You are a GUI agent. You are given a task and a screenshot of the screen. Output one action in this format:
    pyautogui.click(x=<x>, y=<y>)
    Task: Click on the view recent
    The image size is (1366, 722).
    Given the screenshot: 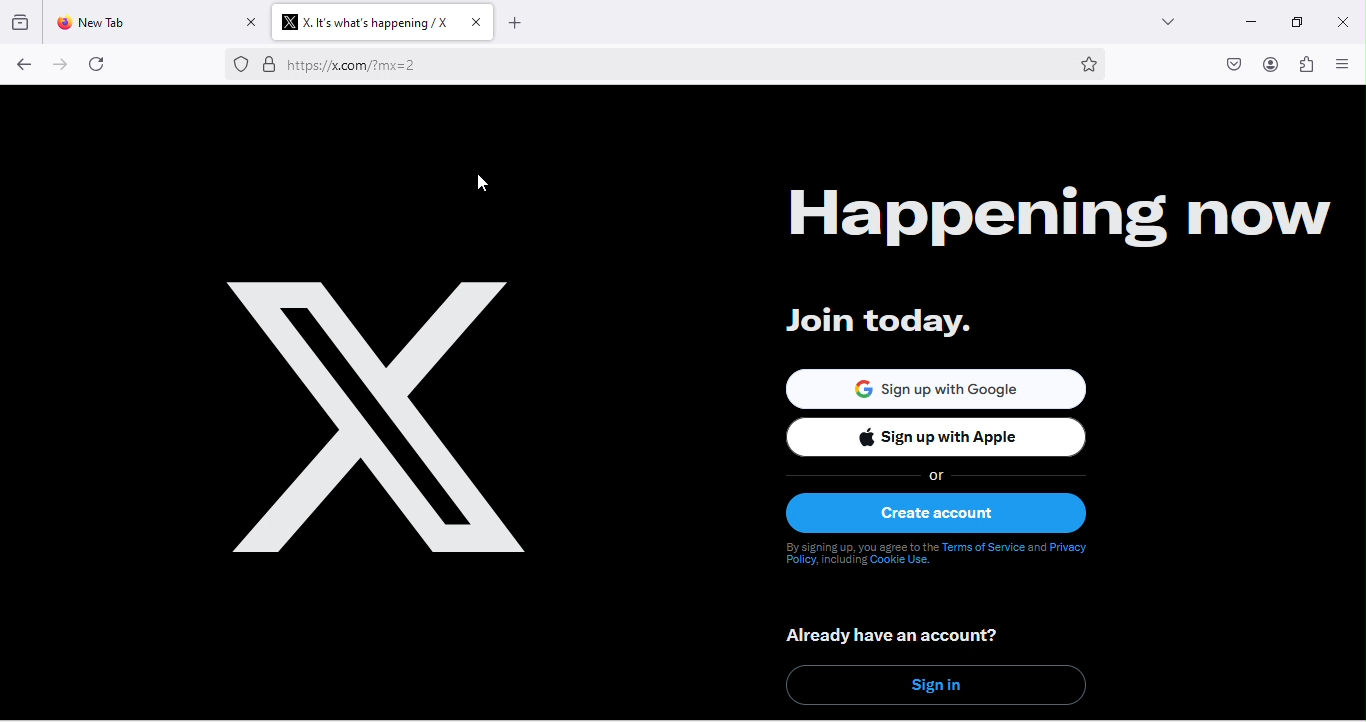 What is the action you would take?
    pyautogui.click(x=23, y=23)
    